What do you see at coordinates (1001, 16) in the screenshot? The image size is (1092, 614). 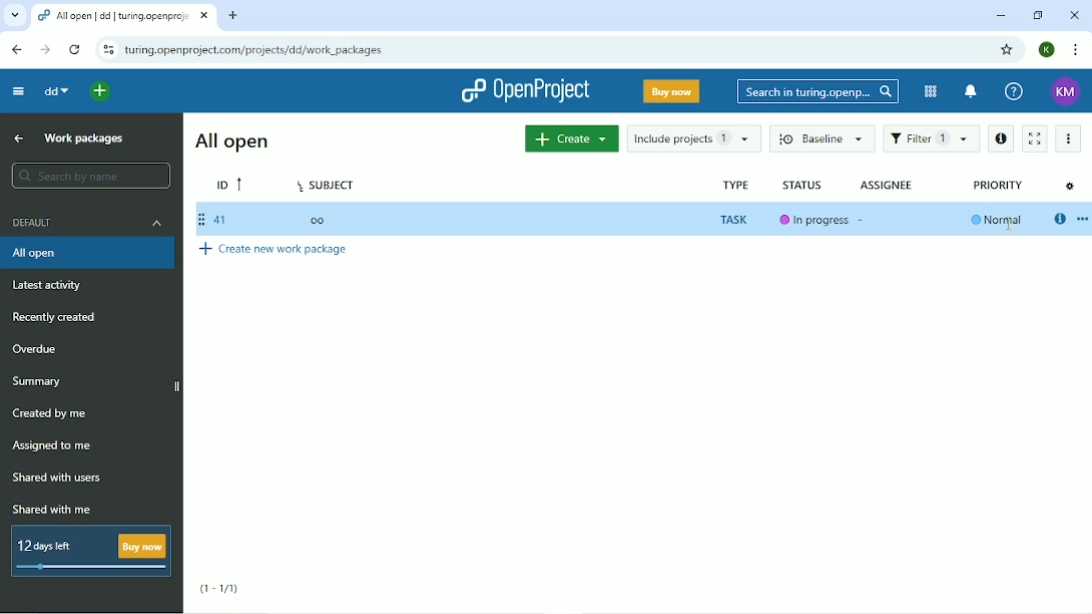 I see `Minimize` at bounding box center [1001, 16].